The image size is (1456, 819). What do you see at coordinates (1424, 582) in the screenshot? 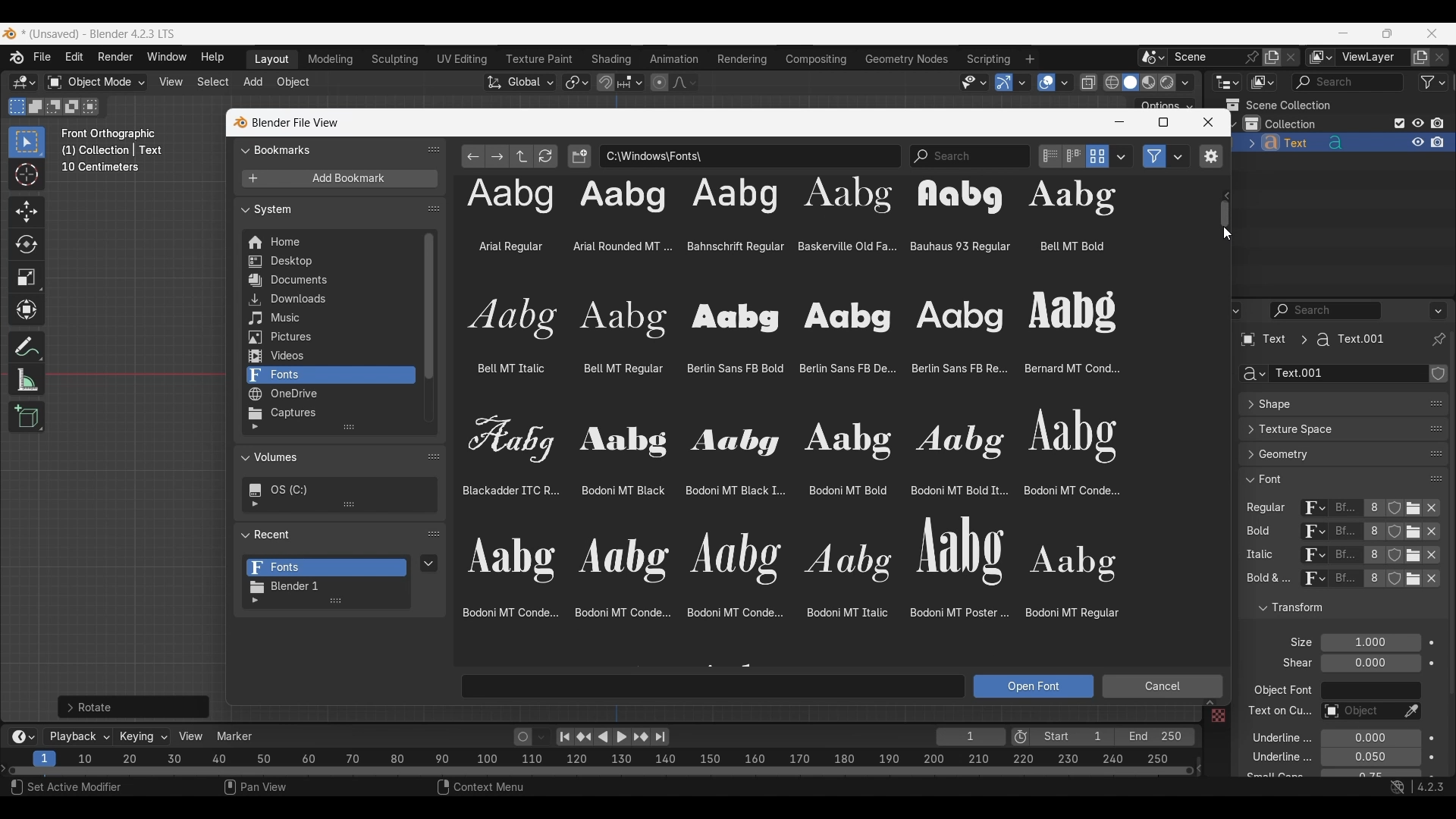
I see `unlink respective attribute` at bounding box center [1424, 582].